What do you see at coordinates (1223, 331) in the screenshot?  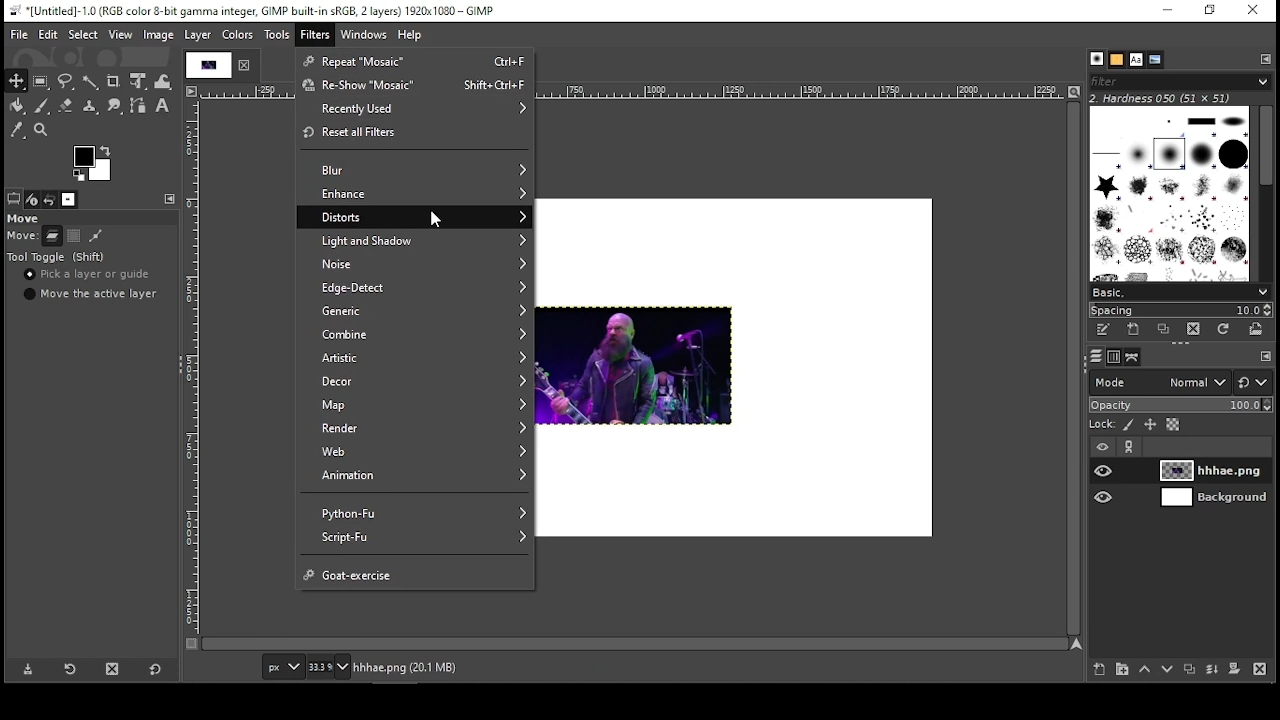 I see `refresh brushes` at bounding box center [1223, 331].